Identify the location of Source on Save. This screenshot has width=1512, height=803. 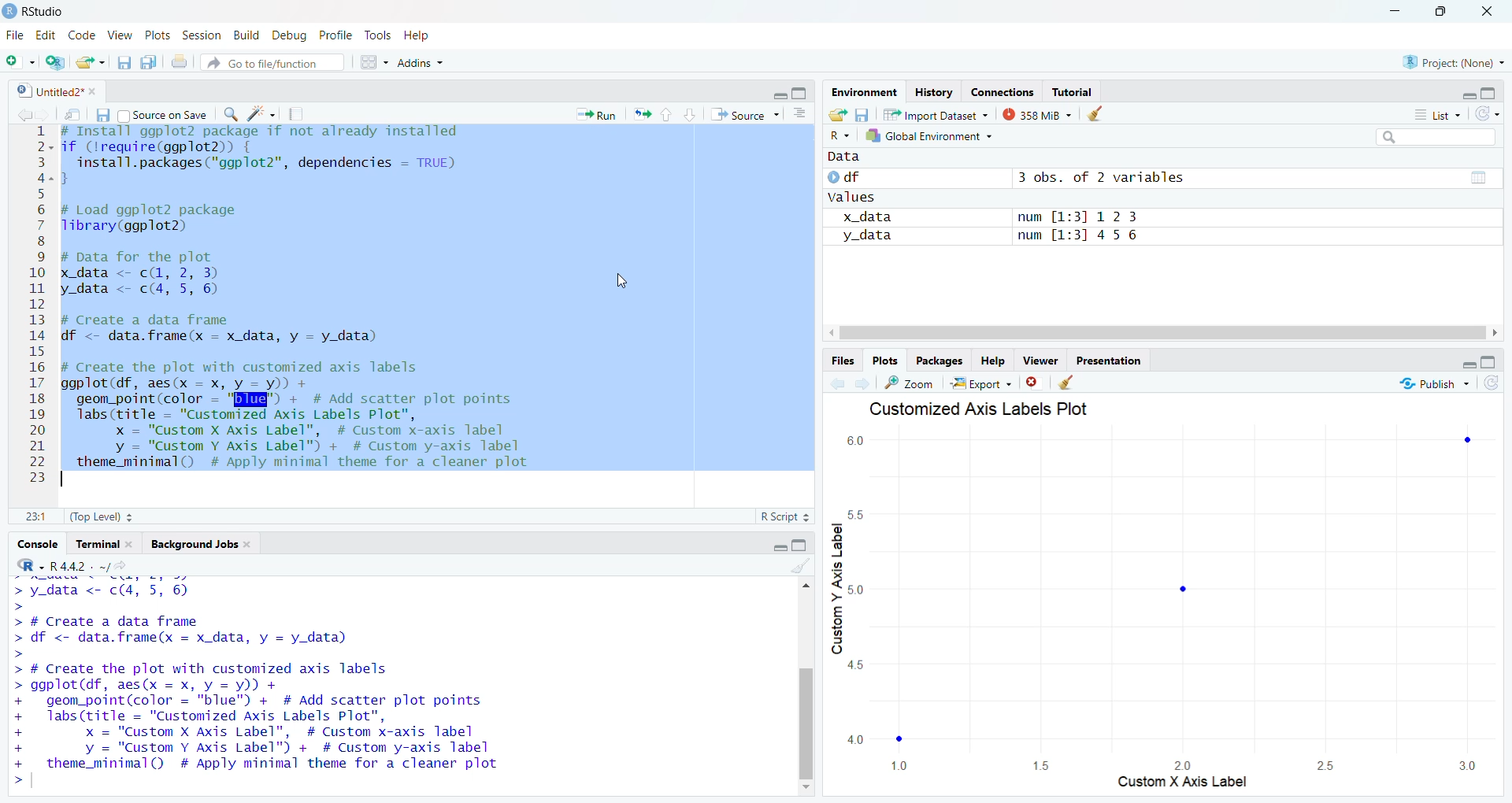
(169, 115).